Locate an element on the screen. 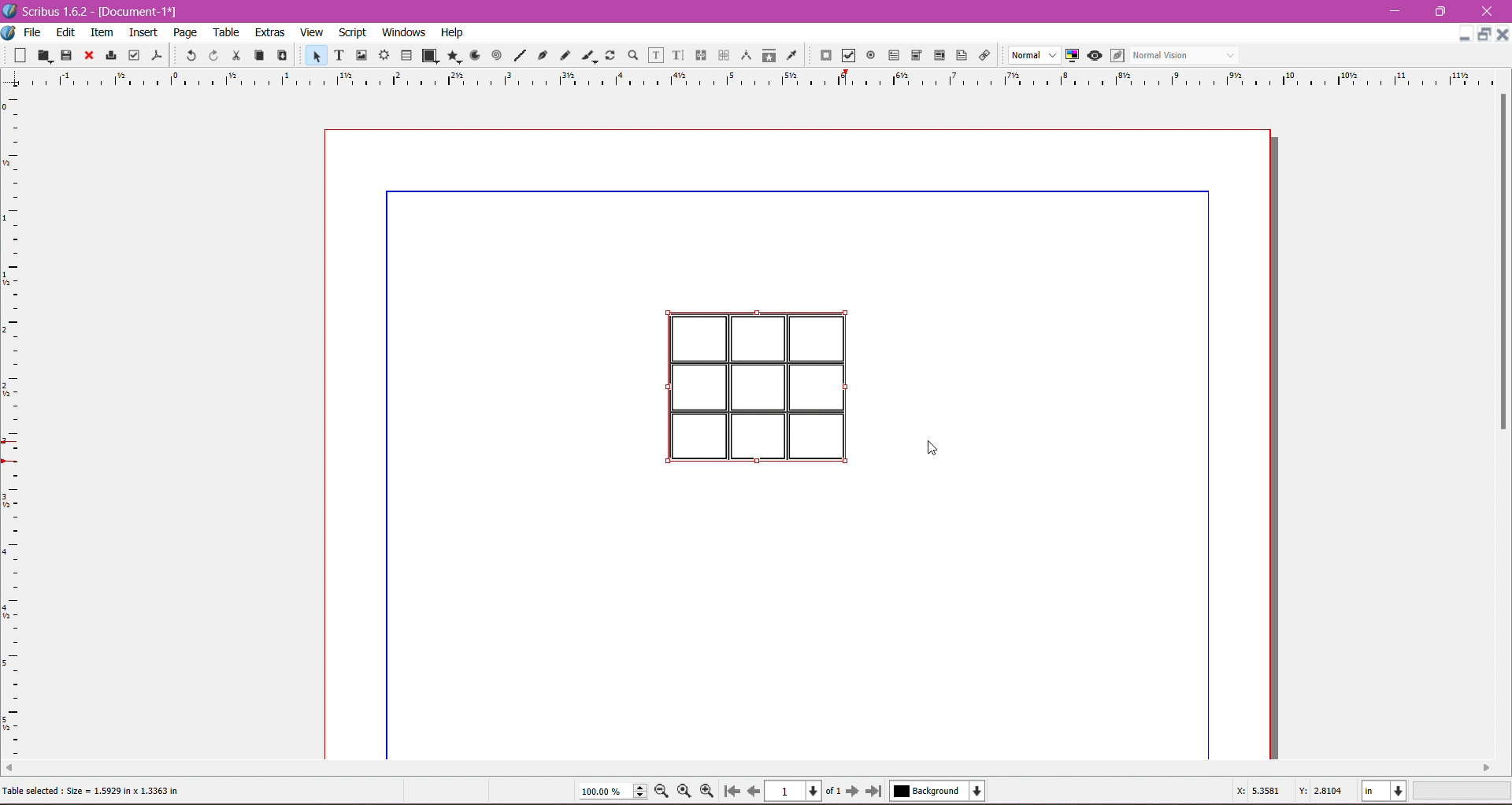 This screenshot has height=805, width=1512. Current Page is located at coordinates (795, 789).